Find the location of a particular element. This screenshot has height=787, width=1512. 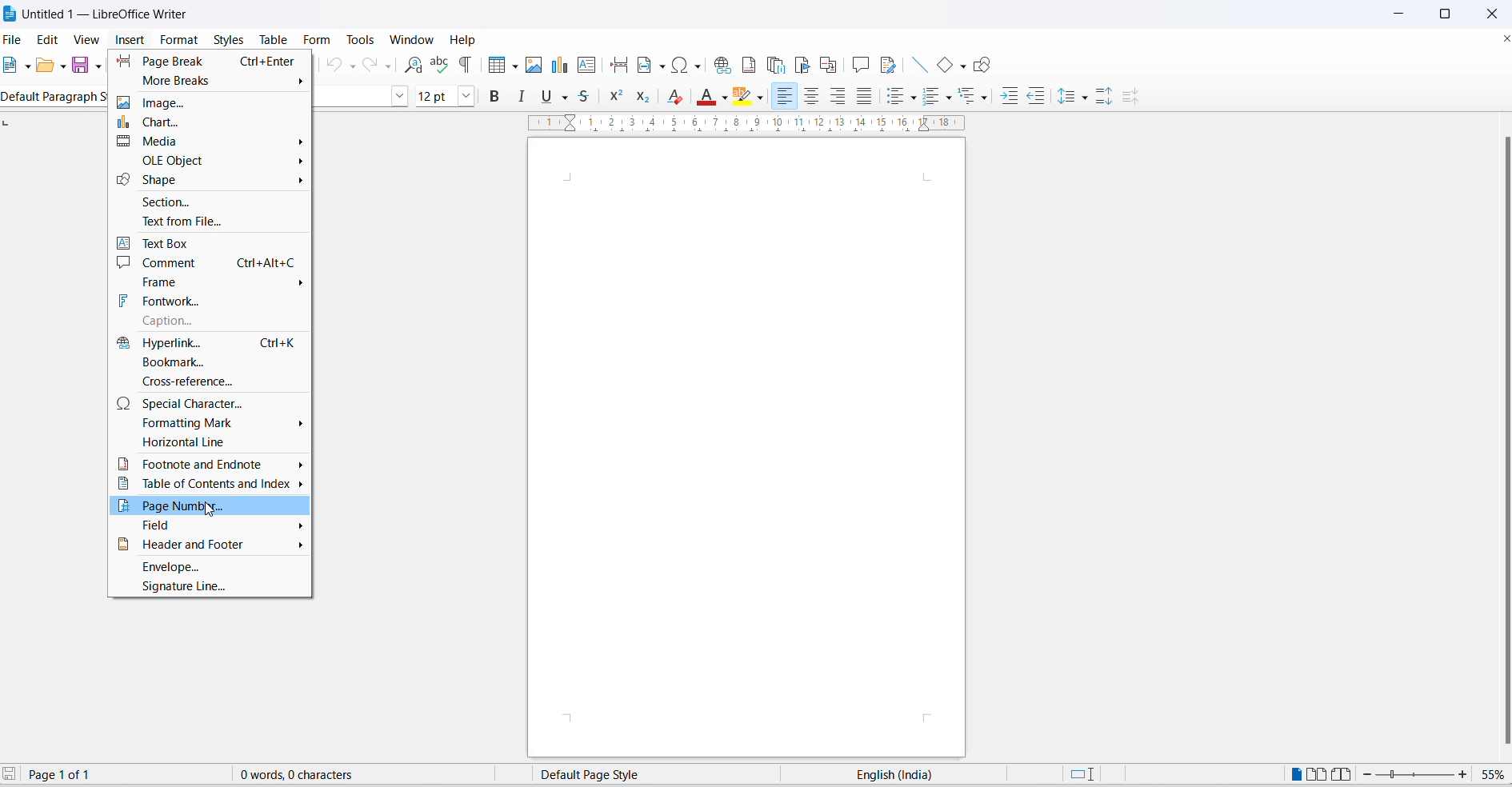

insert cross reference is located at coordinates (828, 64).